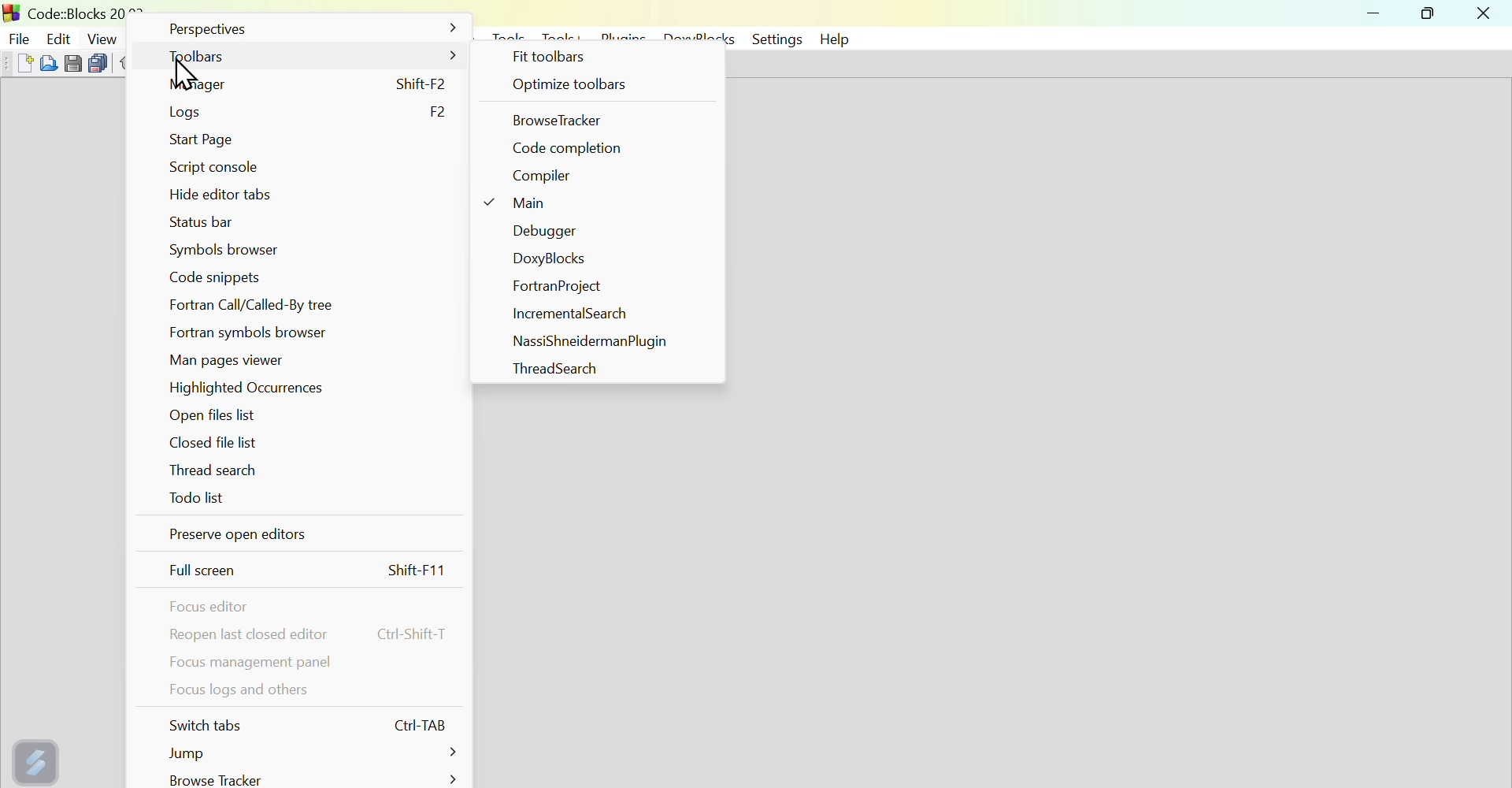  Describe the element at coordinates (203, 223) in the screenshot. I see `Status bar` at that location.